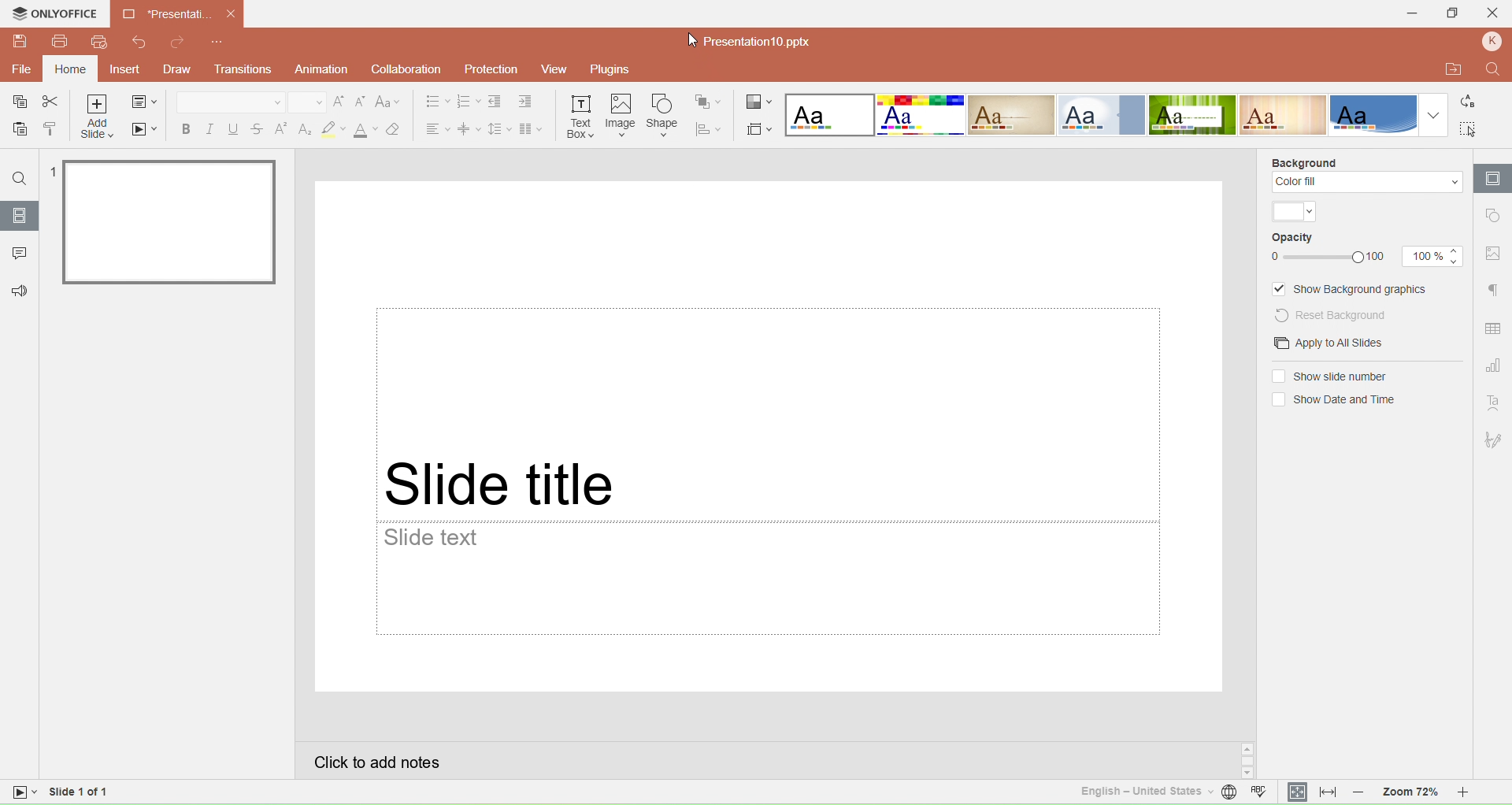 The width and height of the screenshot is (1512, 805). Describe the element at coordinates (552, 71) in the screenshot. I see `View` at that location.